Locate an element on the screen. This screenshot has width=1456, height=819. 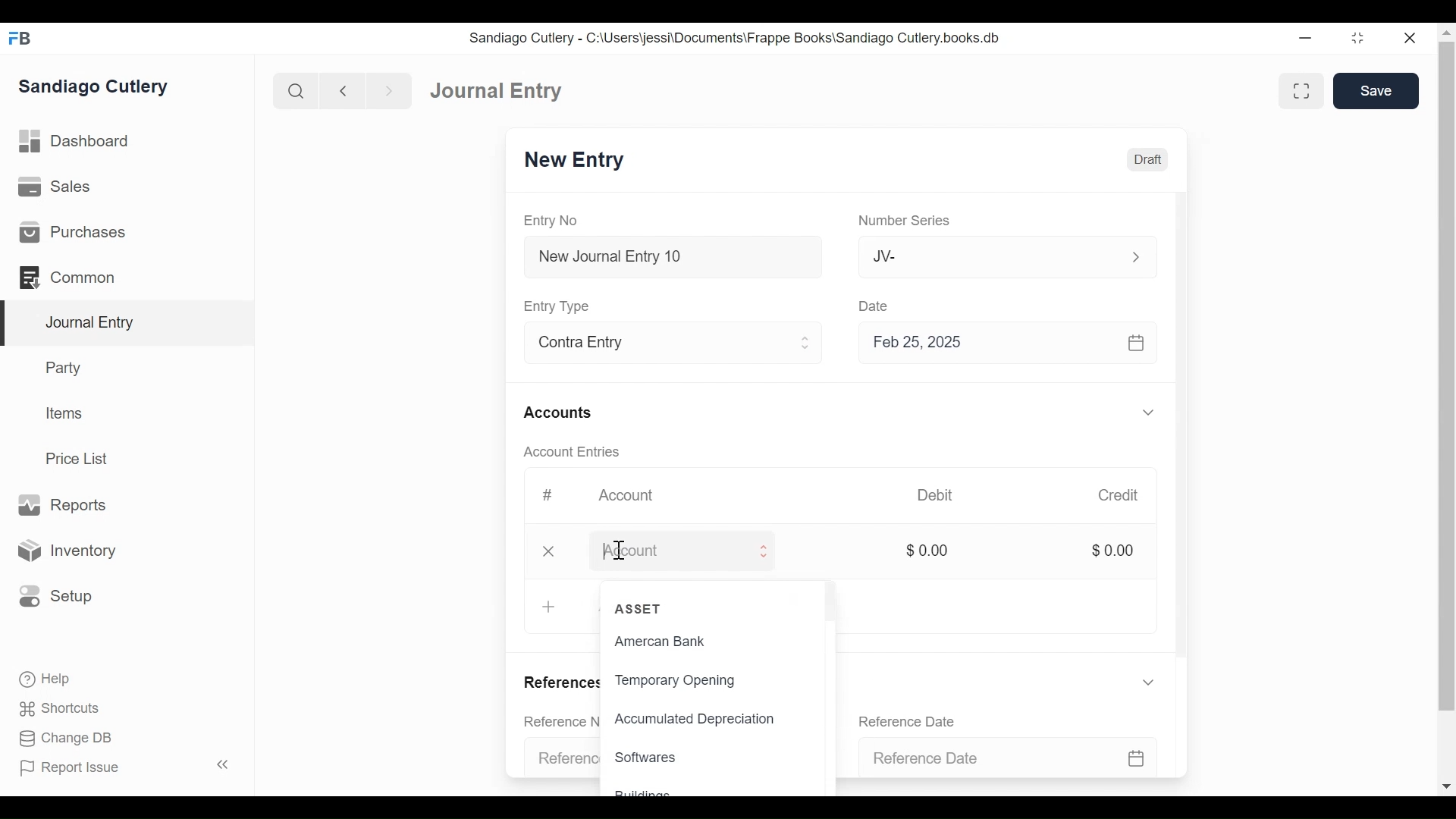
ASSET is located at coordinates (640, 607).